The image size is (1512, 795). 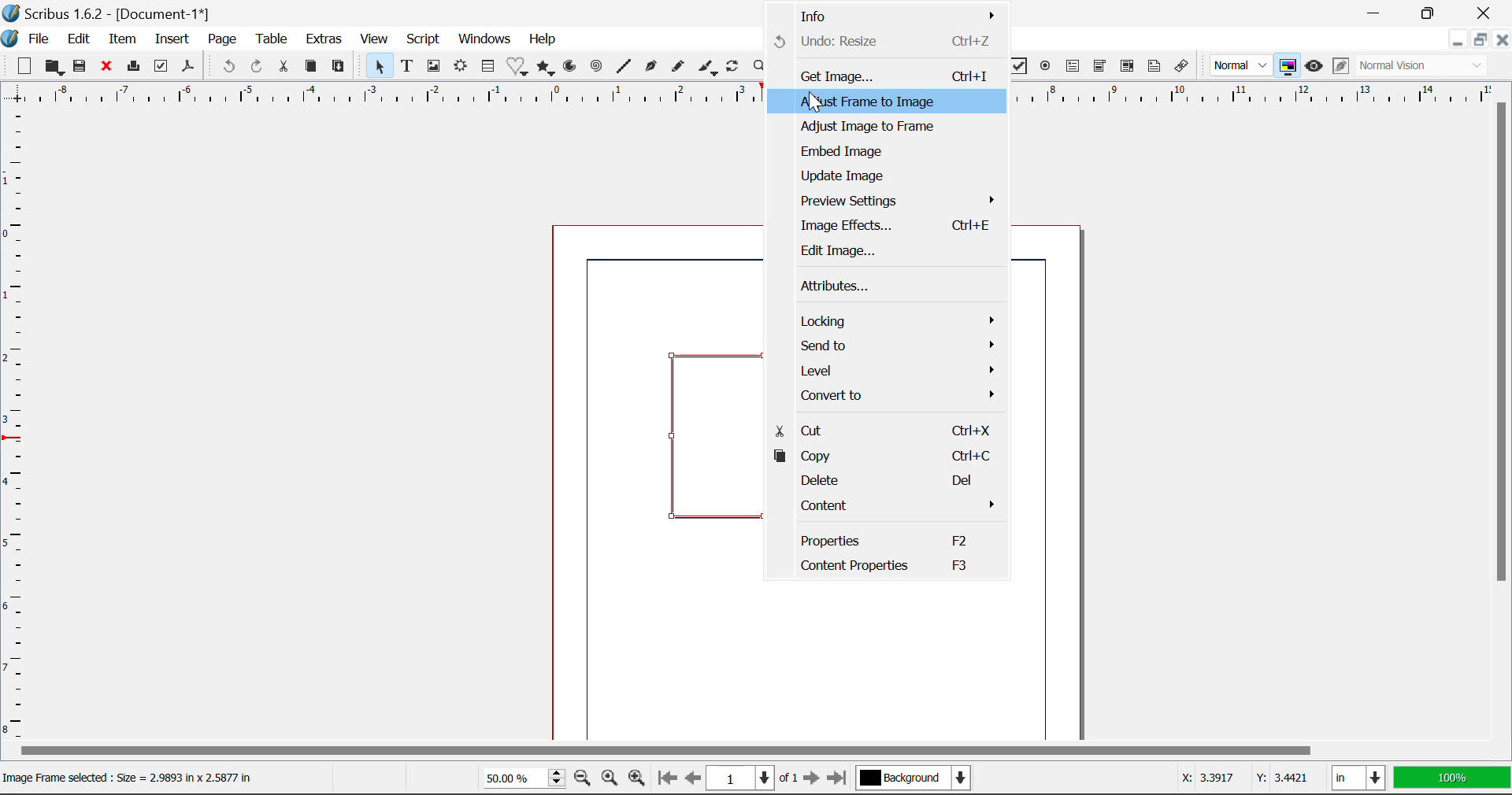 What do you see at coordinates (892, 321) in the screenshot?
I see `Locking` at bounding box center [892, 321].